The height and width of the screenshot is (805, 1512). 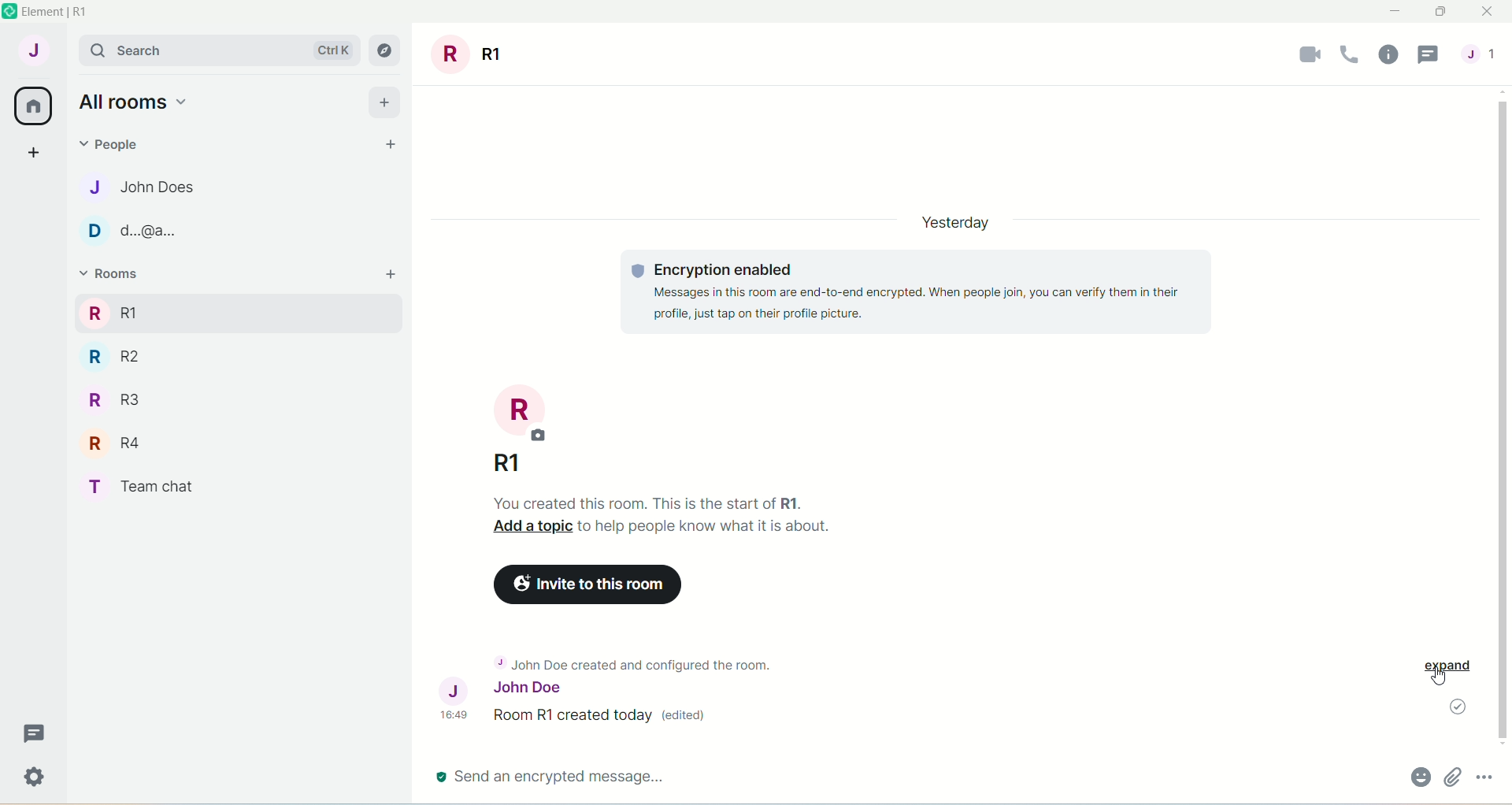 I want to click on video call, so click(x=1306, y=57).